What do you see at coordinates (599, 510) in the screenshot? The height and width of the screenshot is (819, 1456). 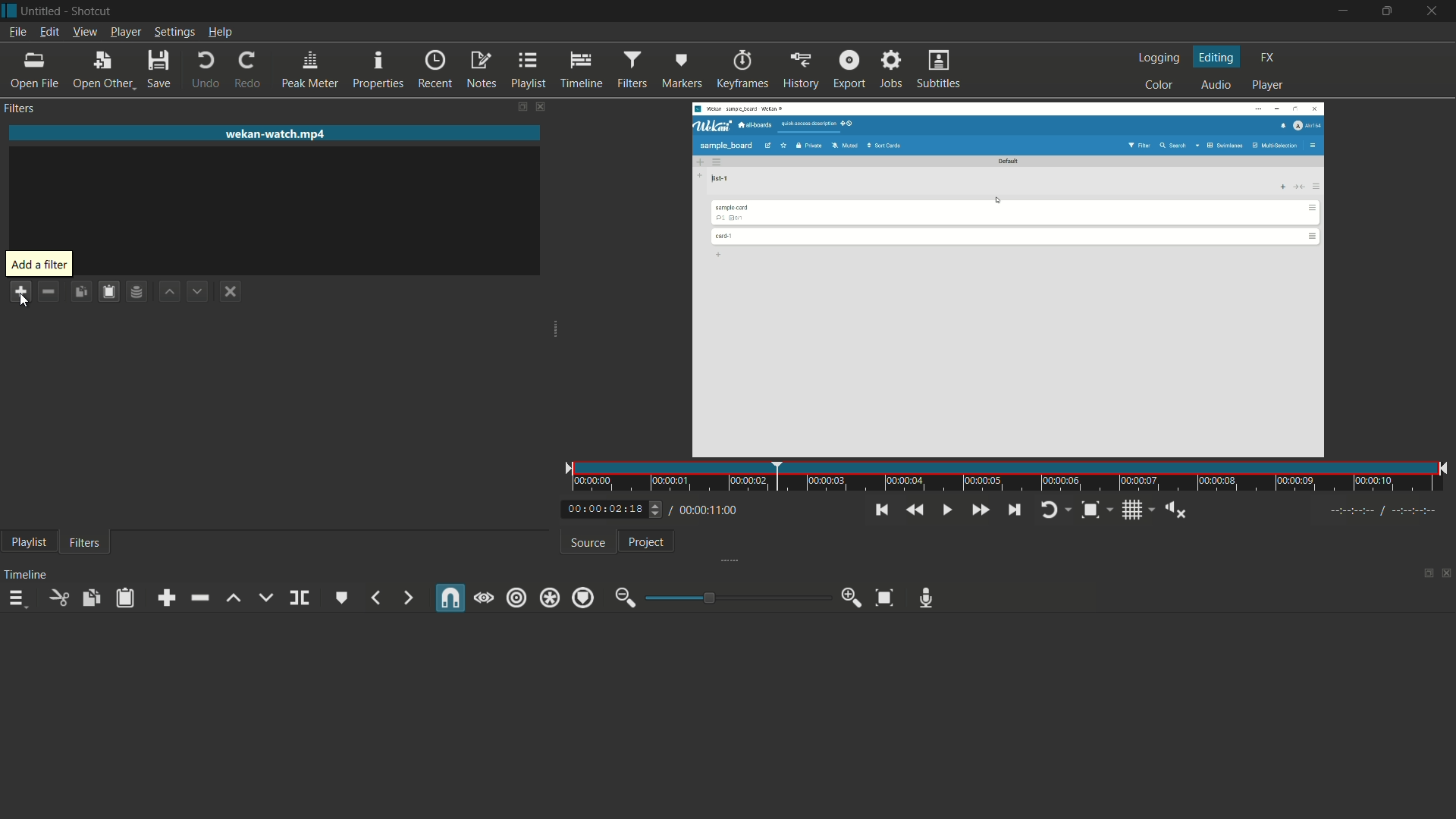 I see `current time` at bounding box center [599, 510].